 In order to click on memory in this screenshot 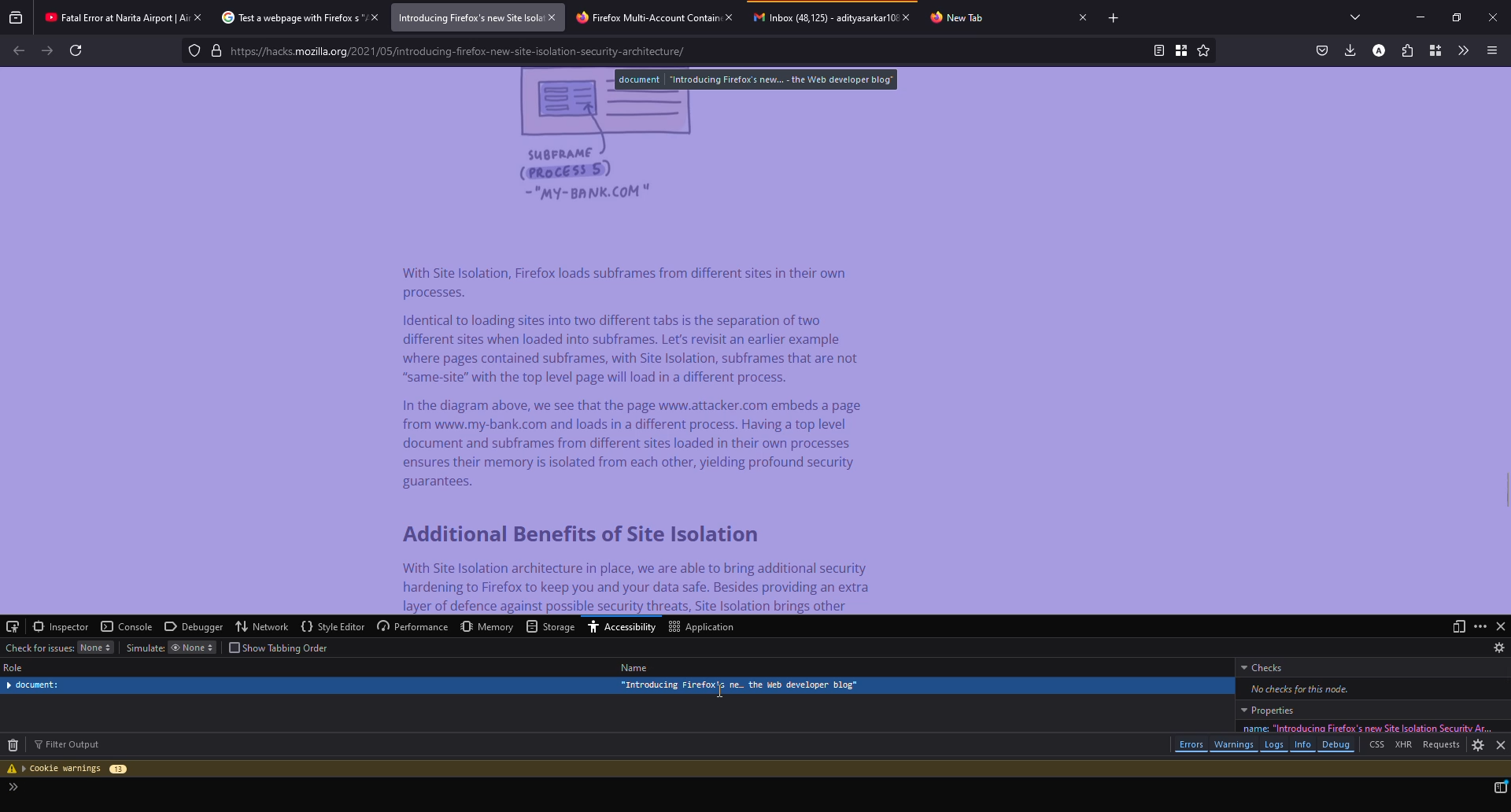, I will do `click(490, 626)`.